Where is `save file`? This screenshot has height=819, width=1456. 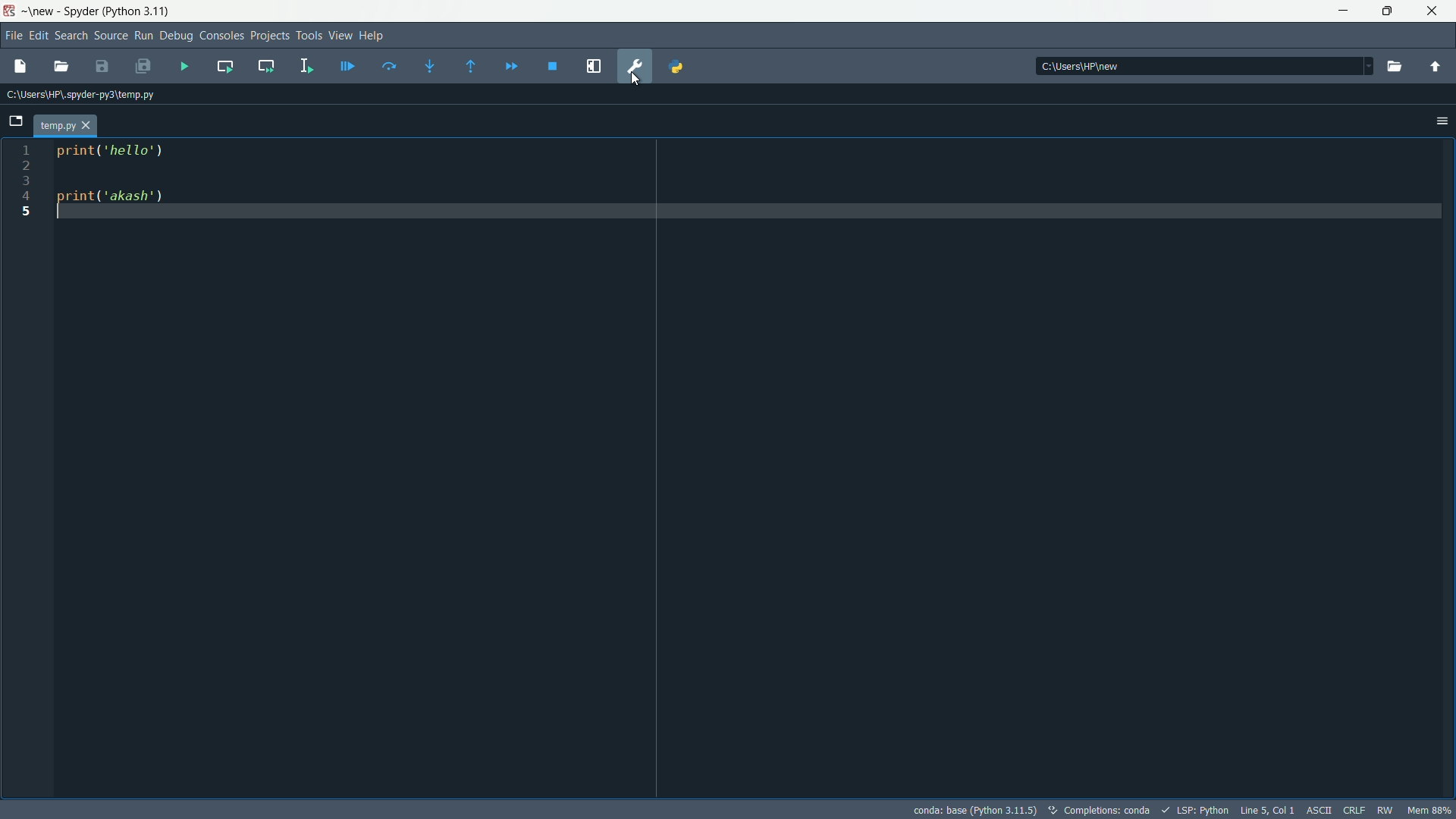
save file is located at coordinates (102, 67).